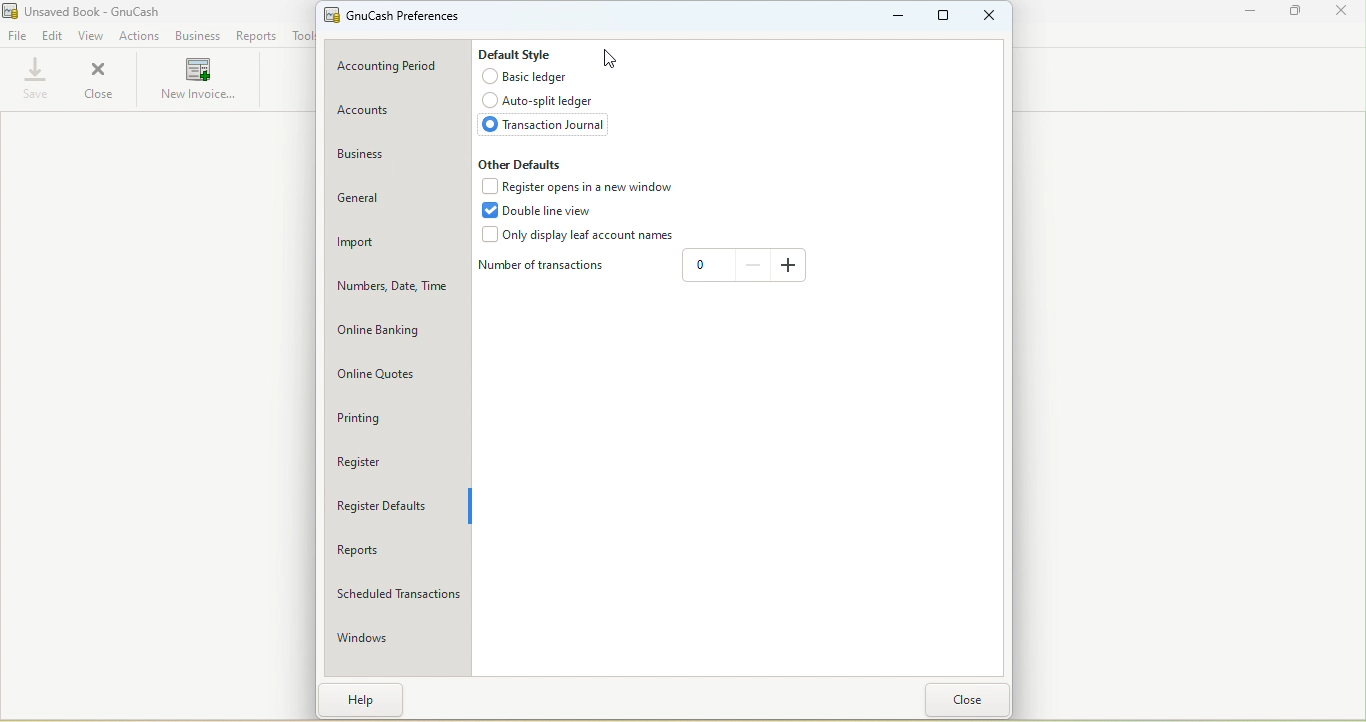  I want to click on Minimize, so click(1250, 14).